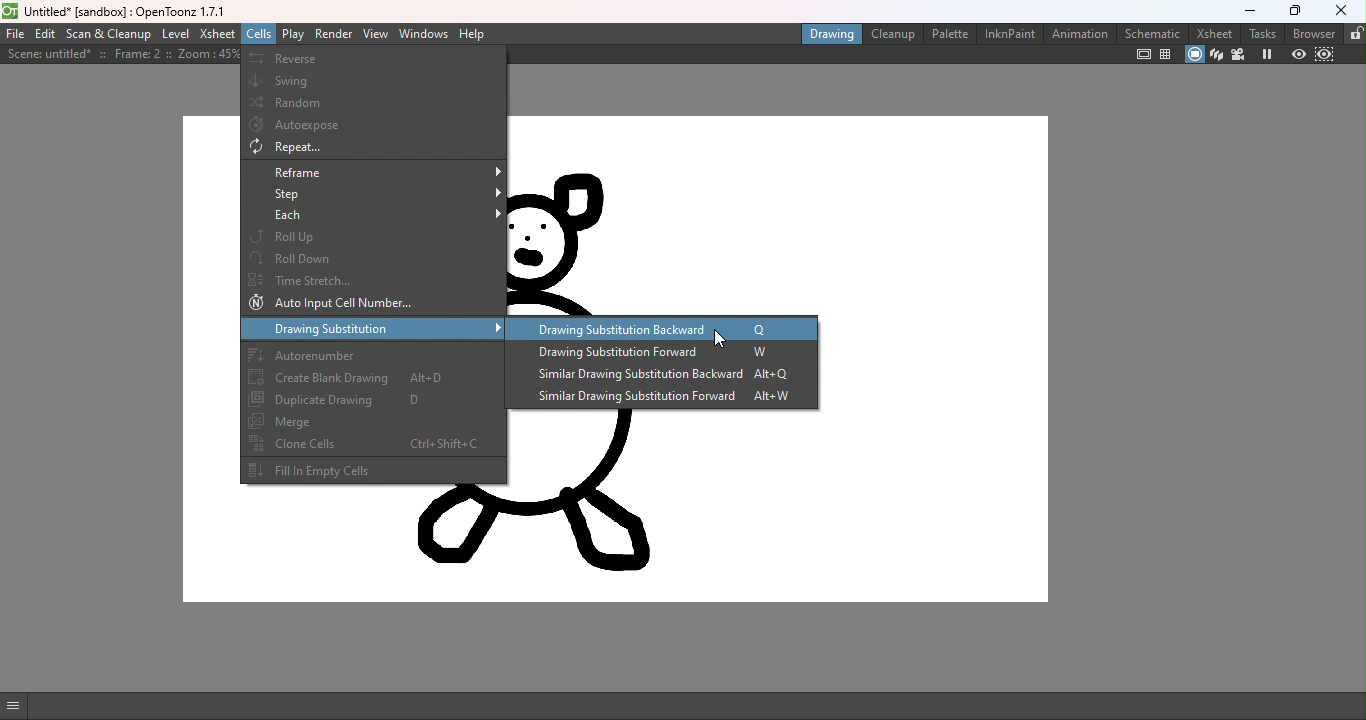 The image size is (1366, 720). I want to click on GUI Show/Hide, so click(15, 706).